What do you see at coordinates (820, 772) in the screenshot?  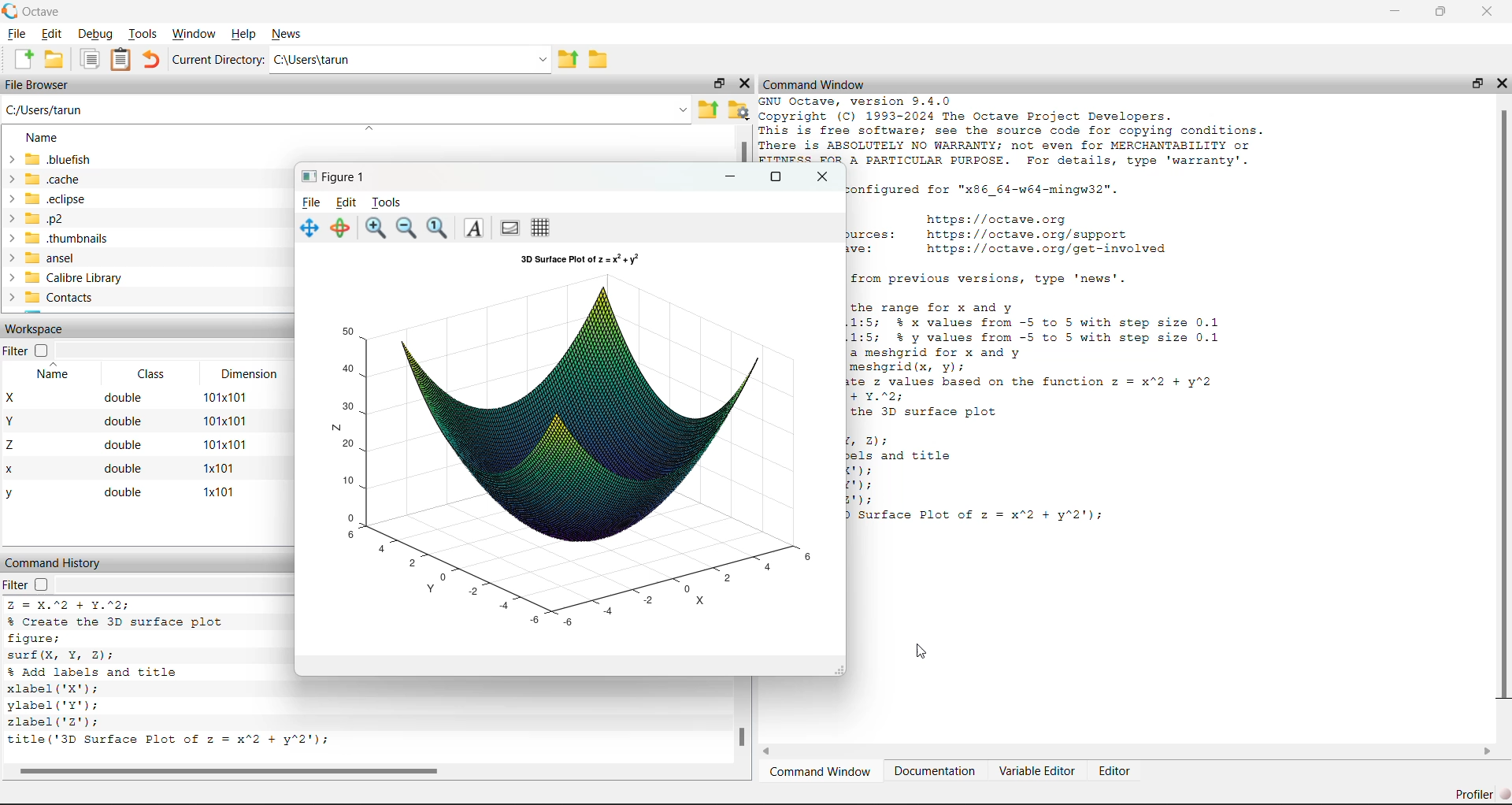 I see `Command Window` at bounding box center [820, 772].